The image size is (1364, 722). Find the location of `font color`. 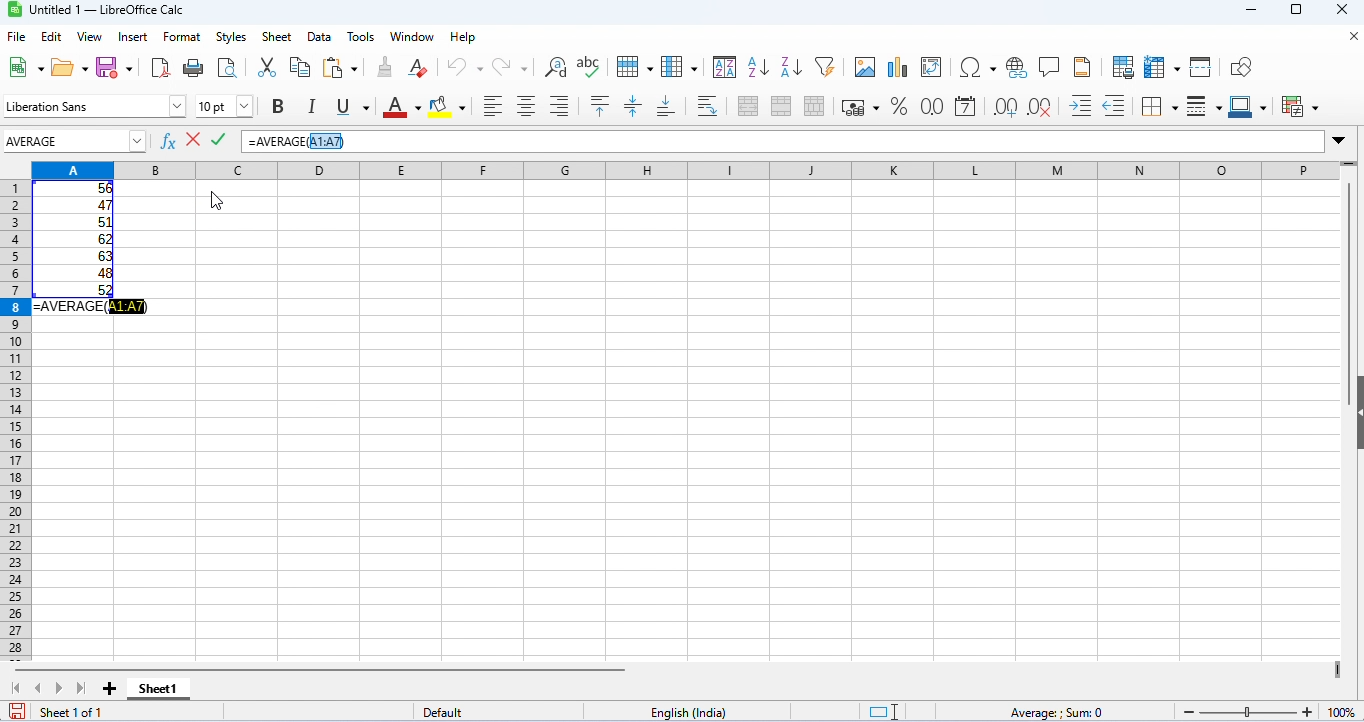

font color is located at coordinates (398, 106).